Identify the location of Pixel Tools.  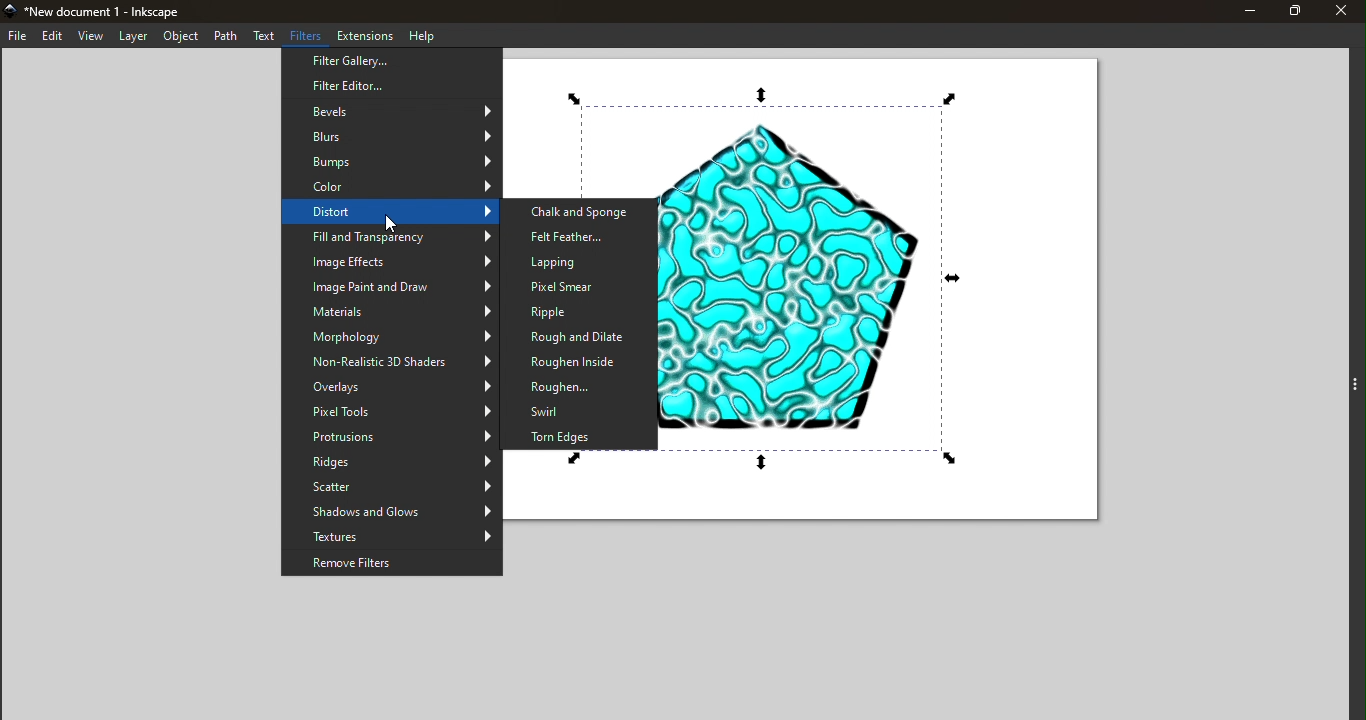
(392, 412).